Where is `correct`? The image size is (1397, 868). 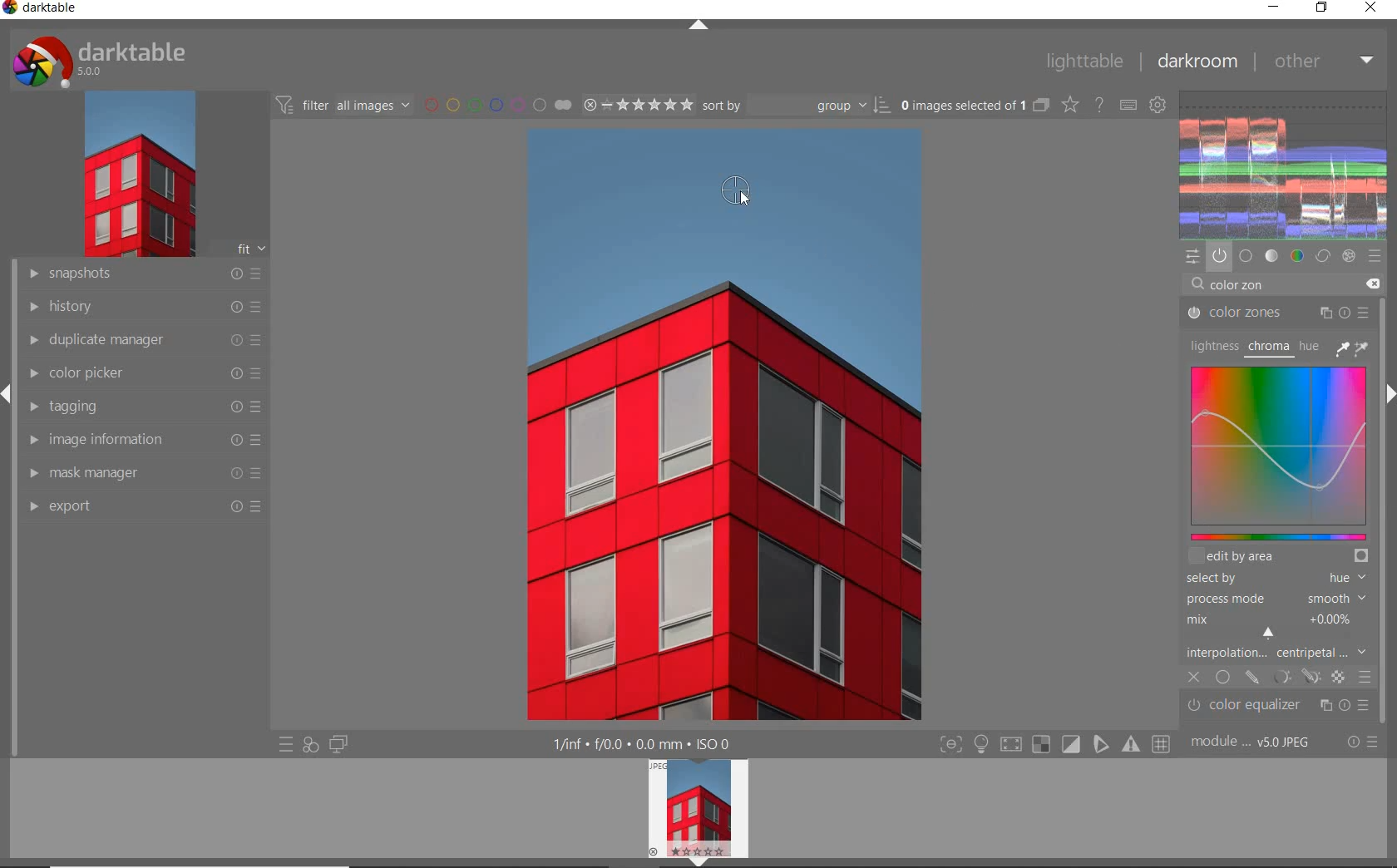
correct is located at coordinates (1323, 257).